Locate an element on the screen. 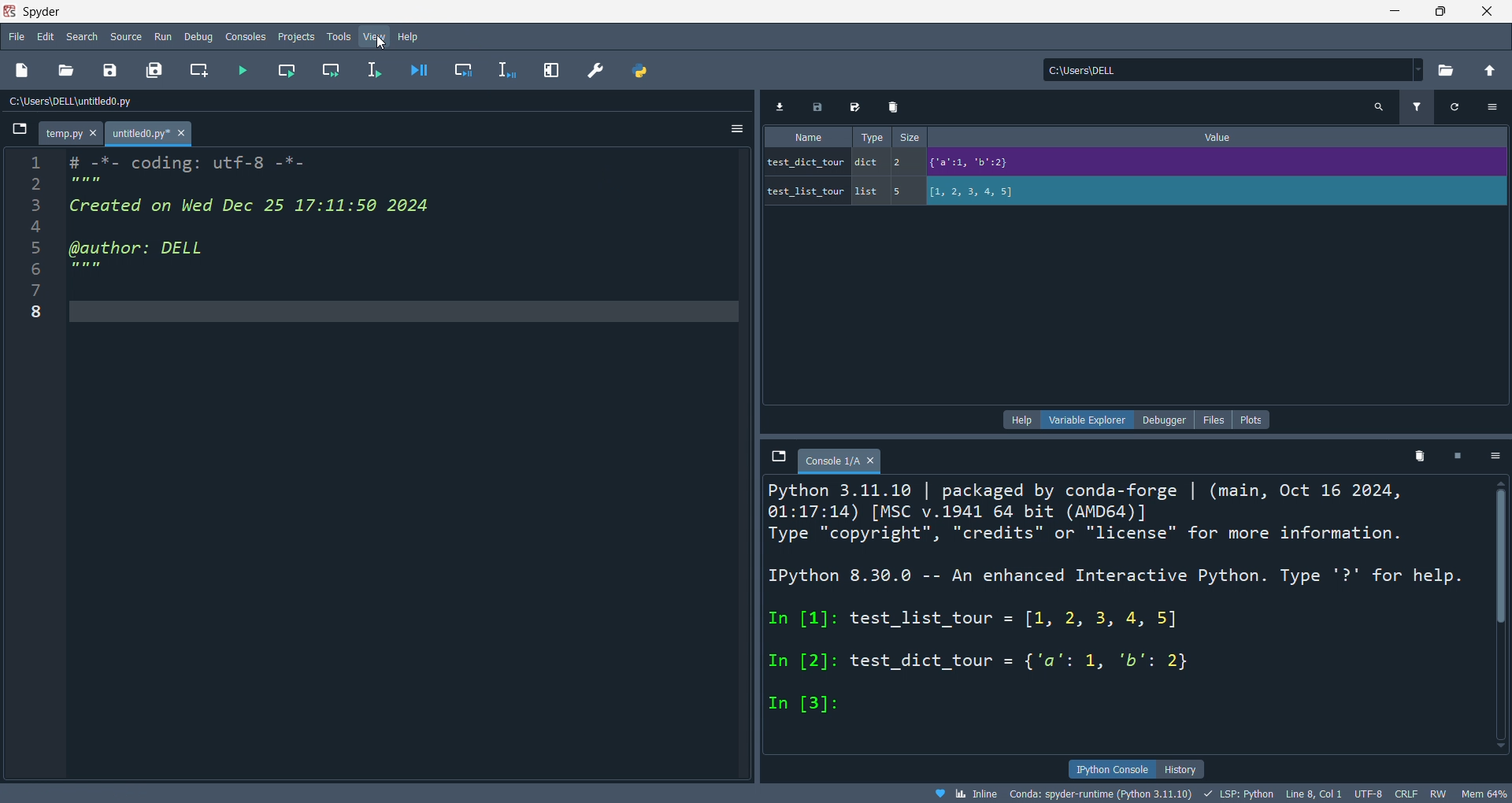 The image size is (1512, 803). run is located at coordinates (165, 37).